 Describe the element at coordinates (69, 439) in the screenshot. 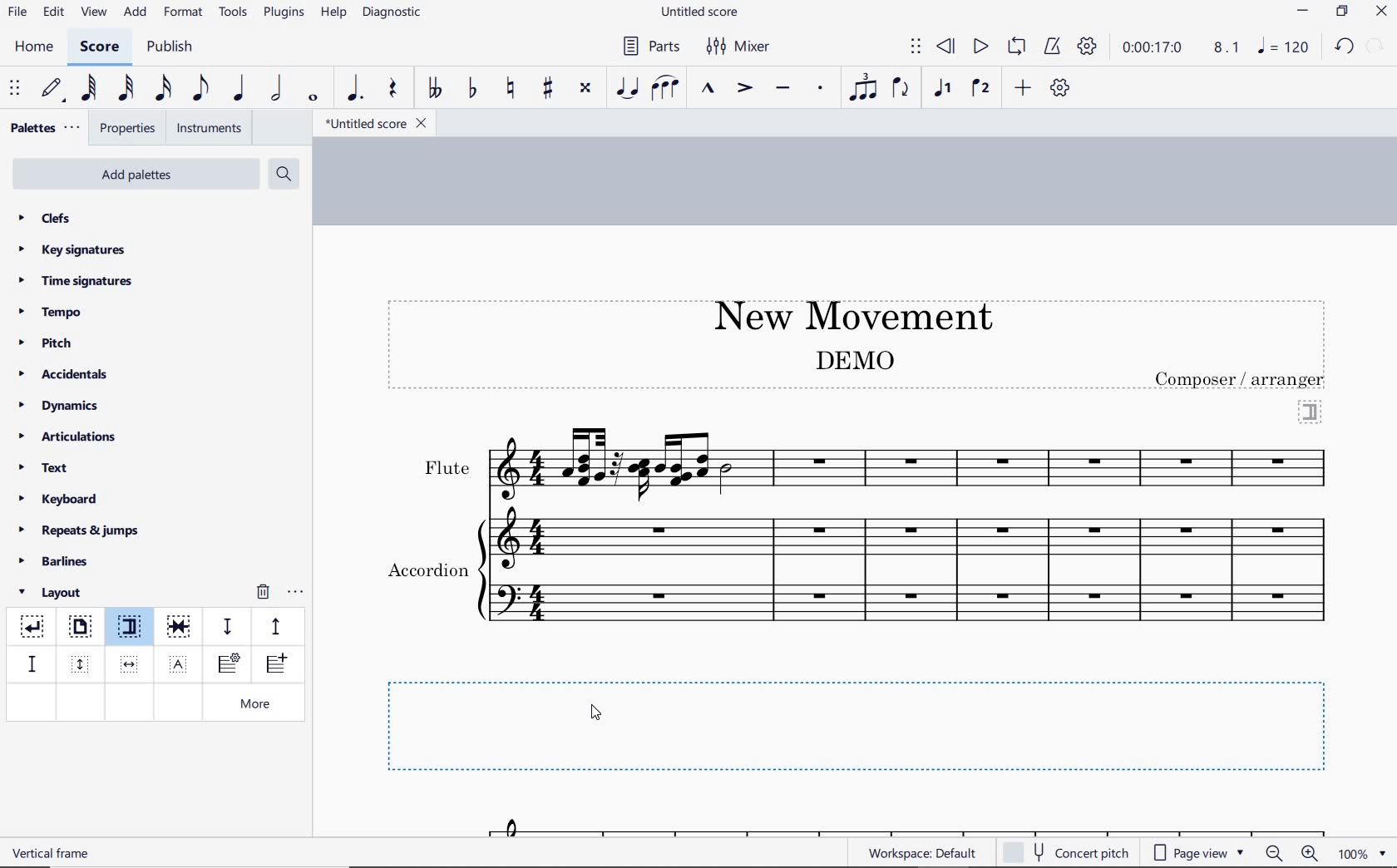

I see `articulations` at that location.